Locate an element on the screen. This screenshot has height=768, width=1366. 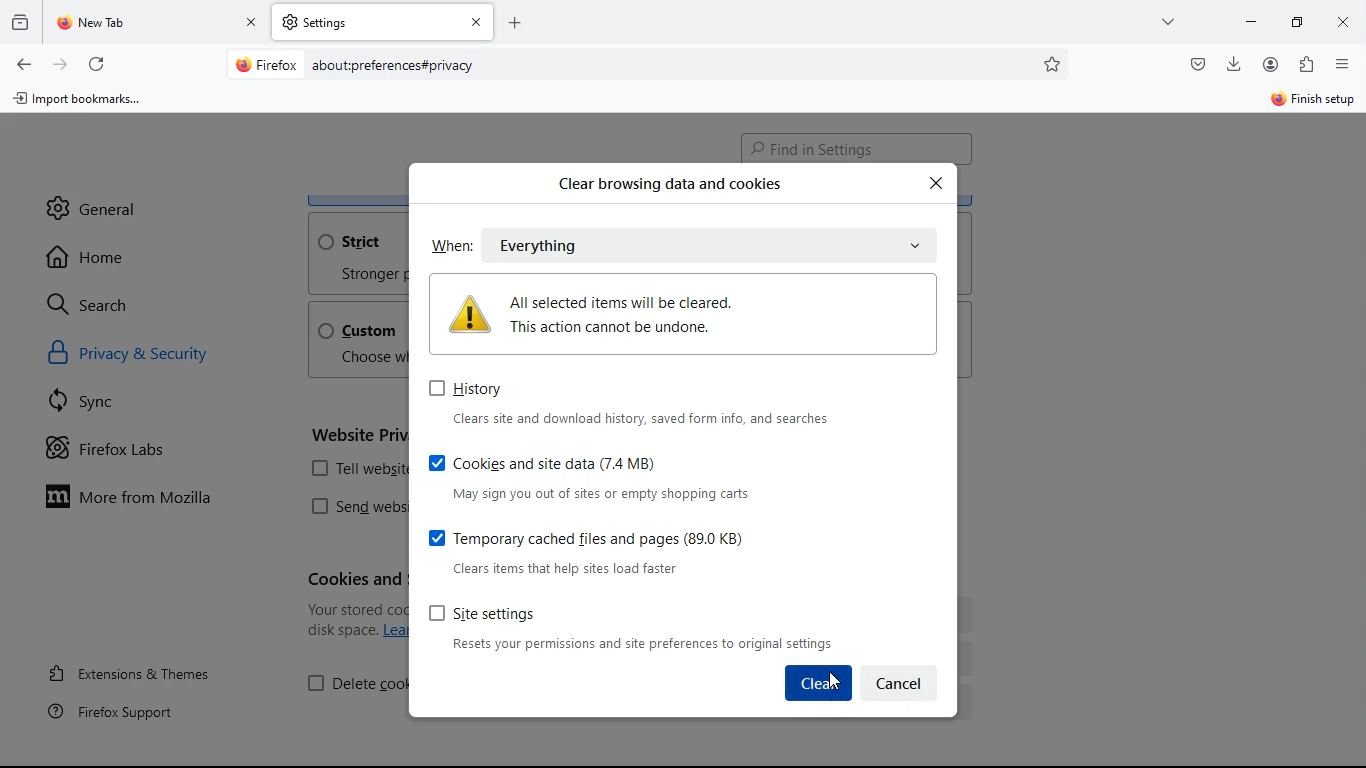
forward is located at coordinates (60, 63).